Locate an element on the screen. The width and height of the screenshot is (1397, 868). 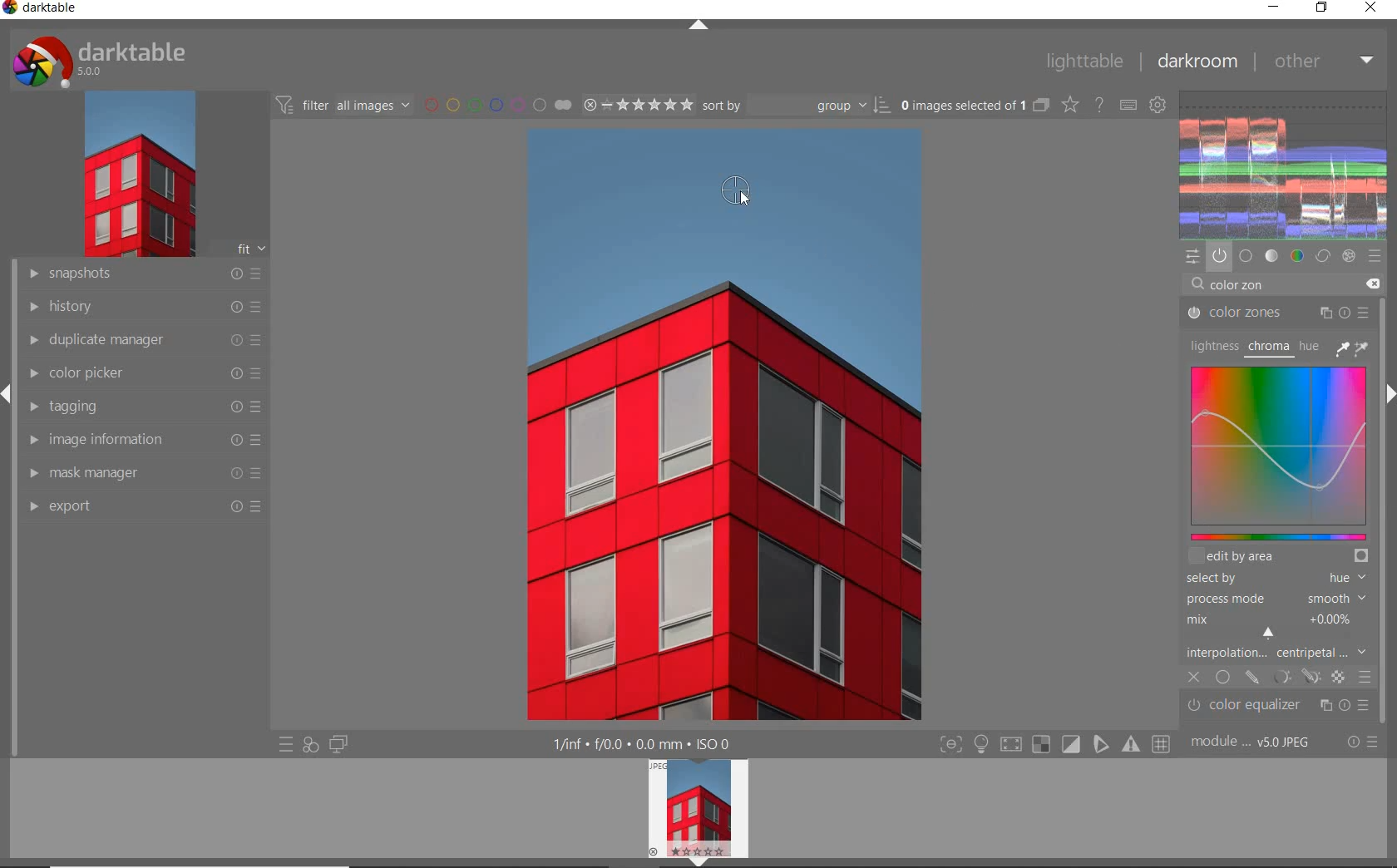
grid overlay is located at coordinates (1162, 742).